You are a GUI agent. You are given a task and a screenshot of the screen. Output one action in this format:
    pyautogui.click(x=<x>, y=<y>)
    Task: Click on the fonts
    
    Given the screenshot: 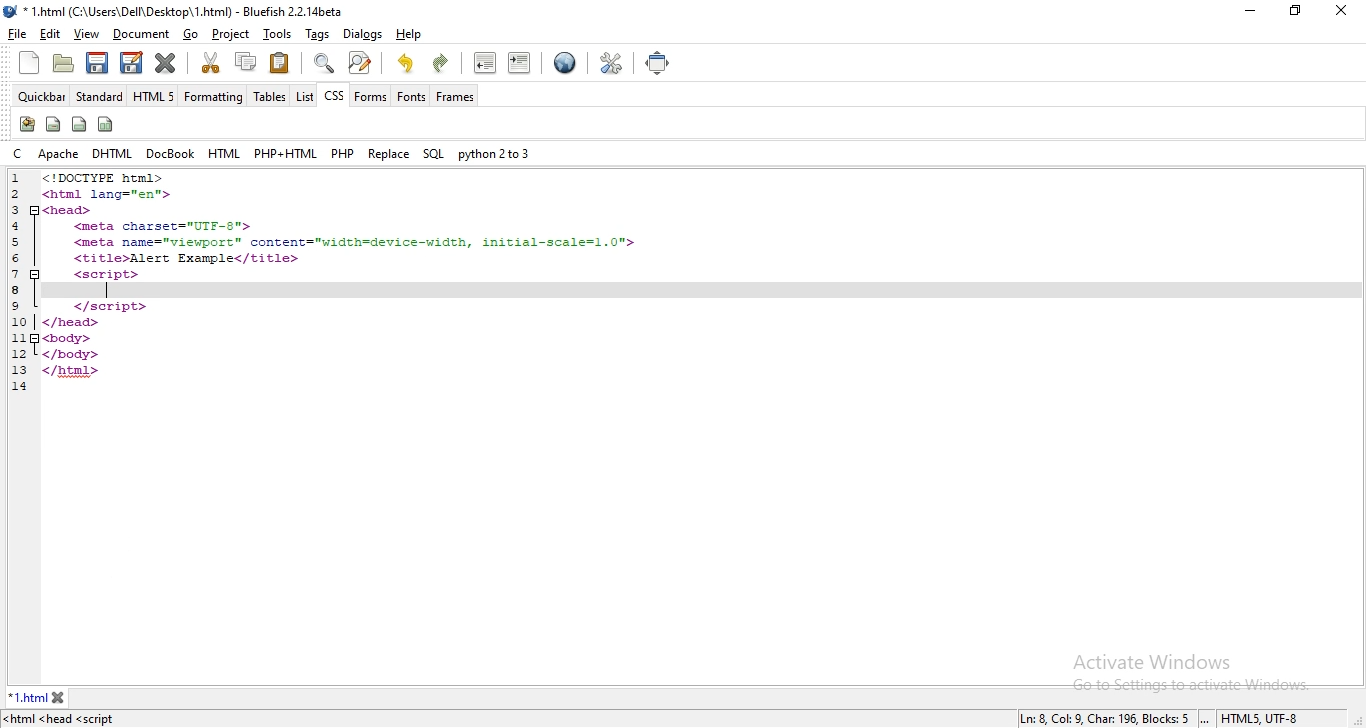 What is the action you would take?
    pyautogui.click(x=409, y=97)
    